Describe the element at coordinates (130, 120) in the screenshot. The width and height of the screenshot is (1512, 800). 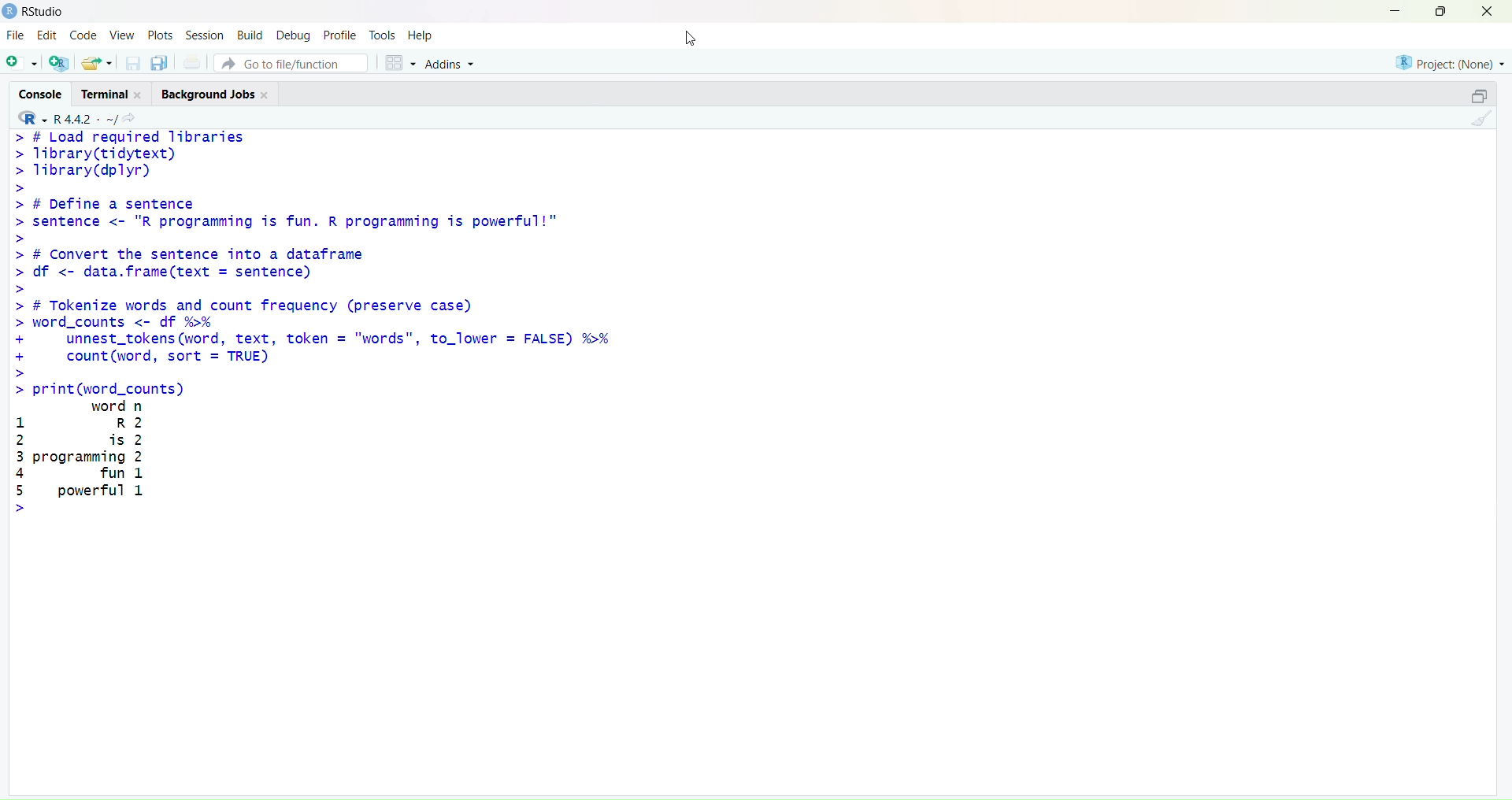
I see `view the current working directory` at that location.